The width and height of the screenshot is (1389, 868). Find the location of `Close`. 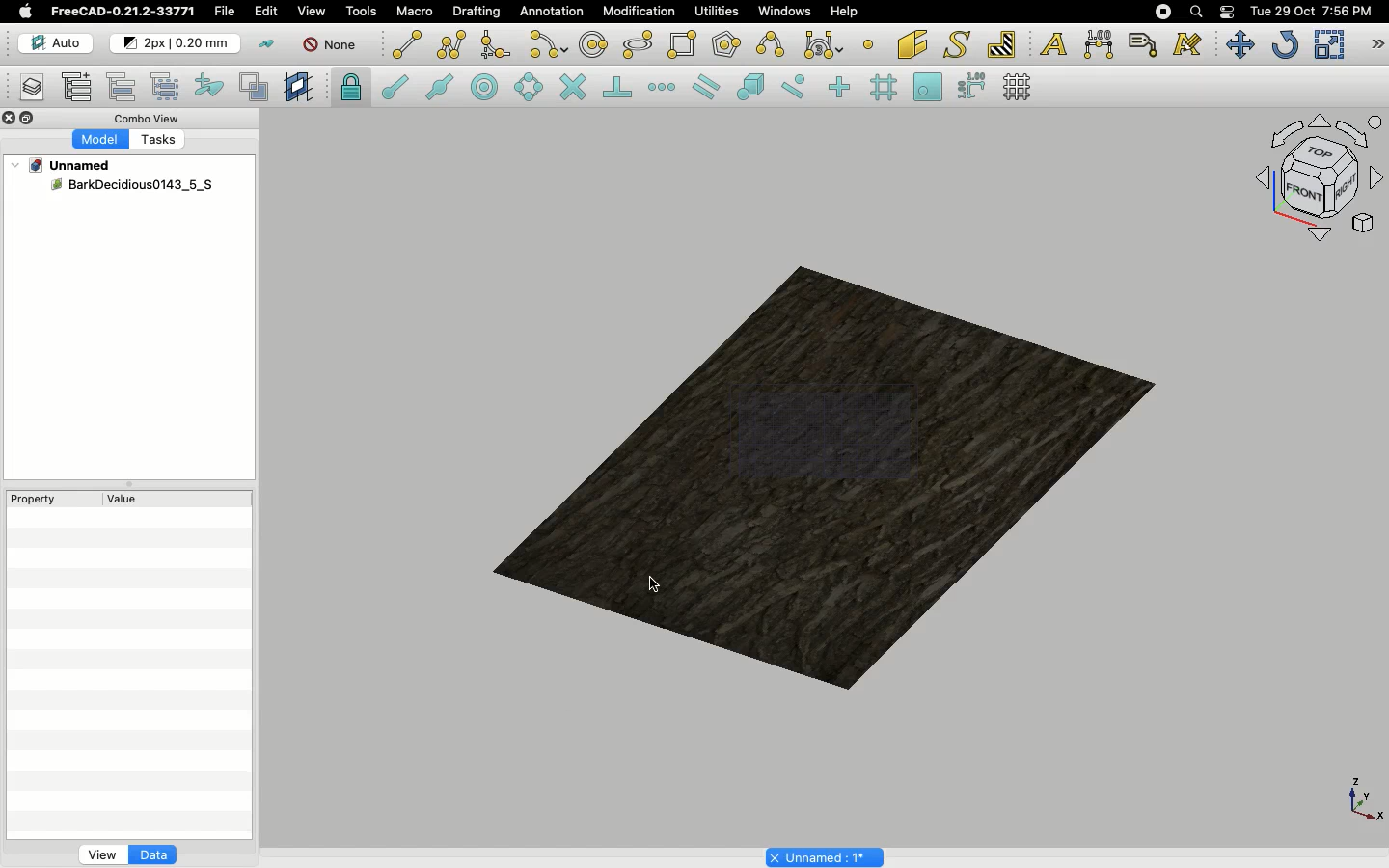

Close is located at coordinates (10, 120).